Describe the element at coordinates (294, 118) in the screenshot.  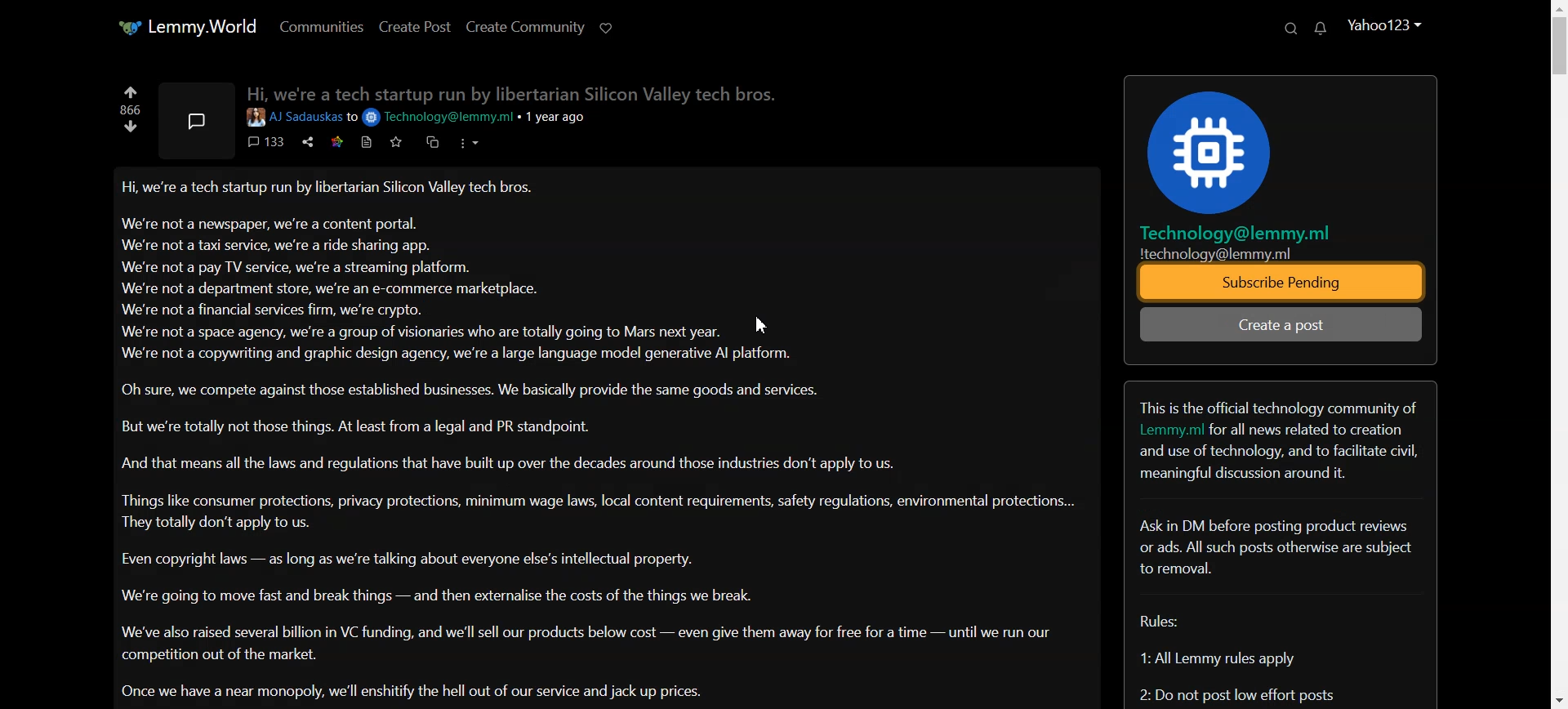
I see `User` at that location.